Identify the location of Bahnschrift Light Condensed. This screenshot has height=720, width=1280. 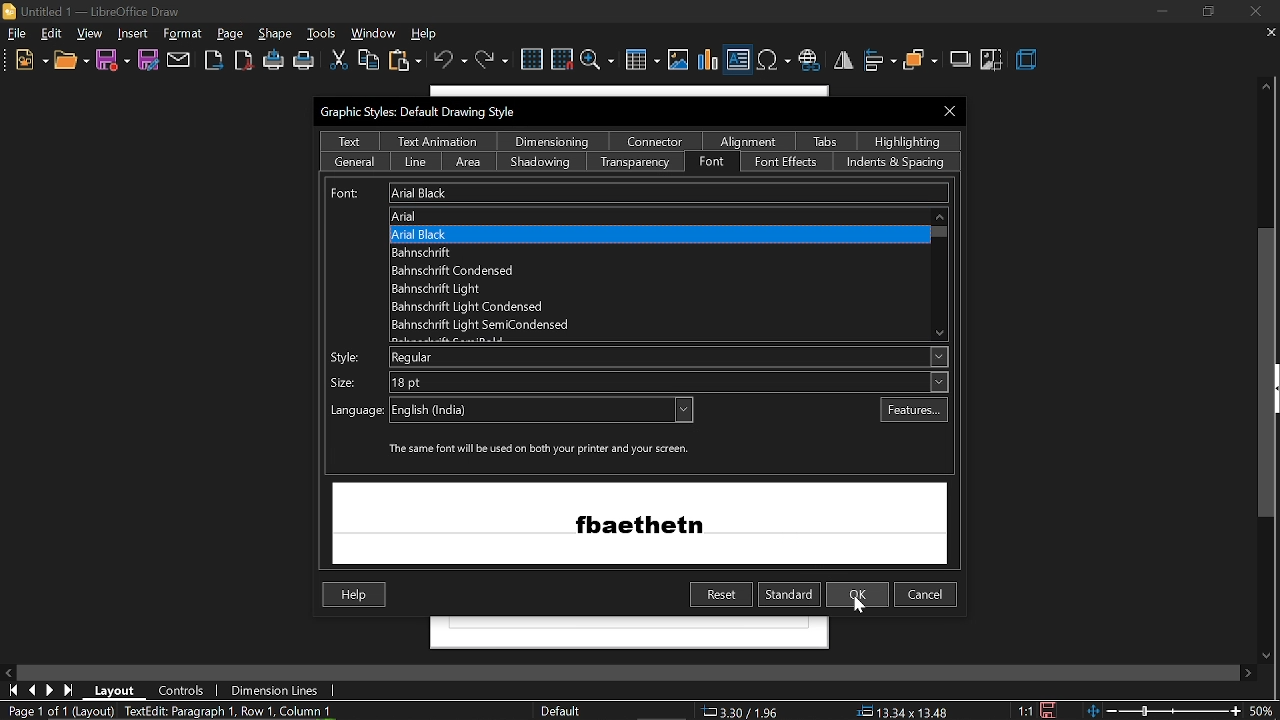
(476, 307).